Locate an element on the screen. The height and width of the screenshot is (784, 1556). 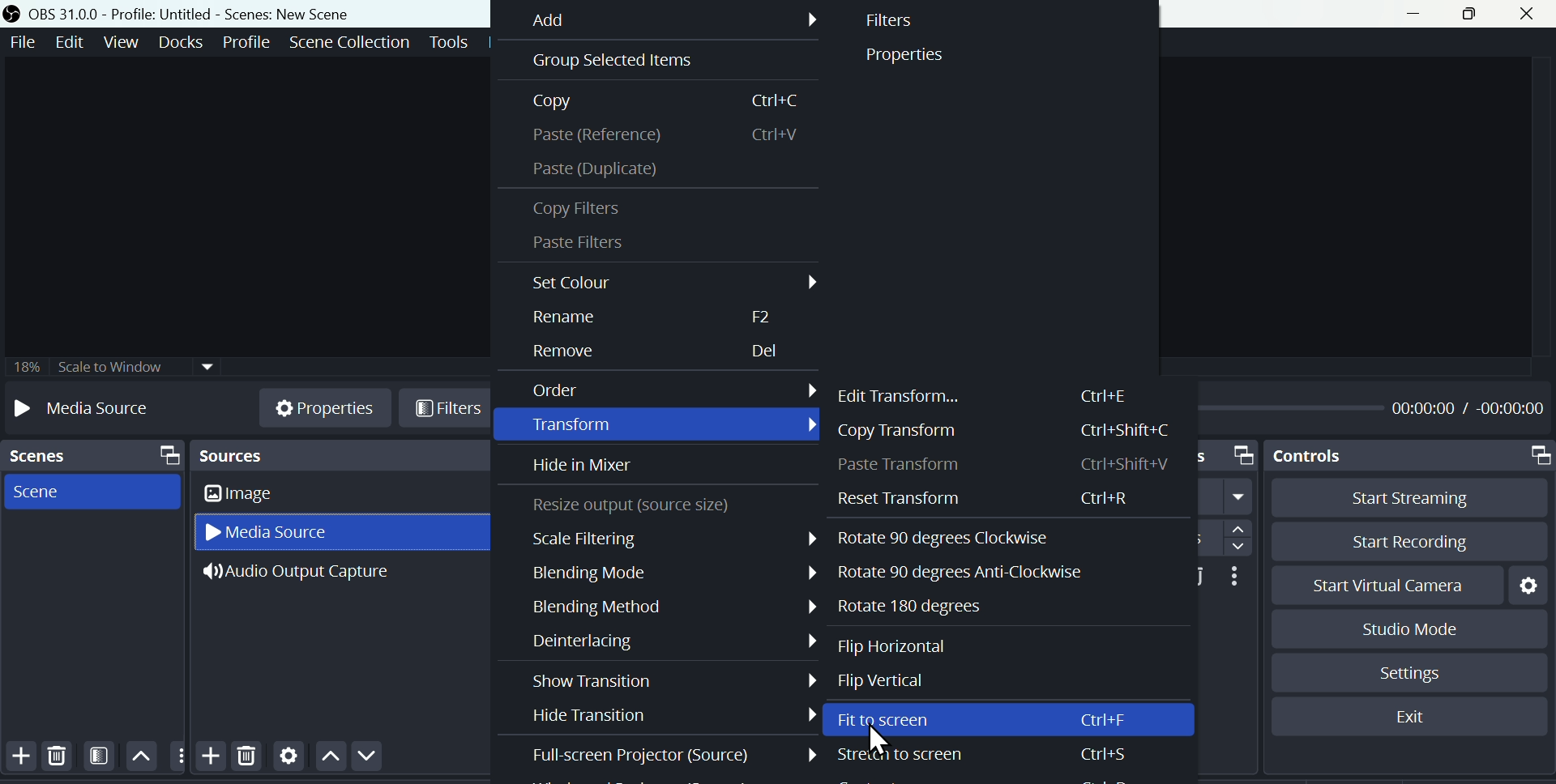
Grouped selected item is located at coordinates (662, 62).